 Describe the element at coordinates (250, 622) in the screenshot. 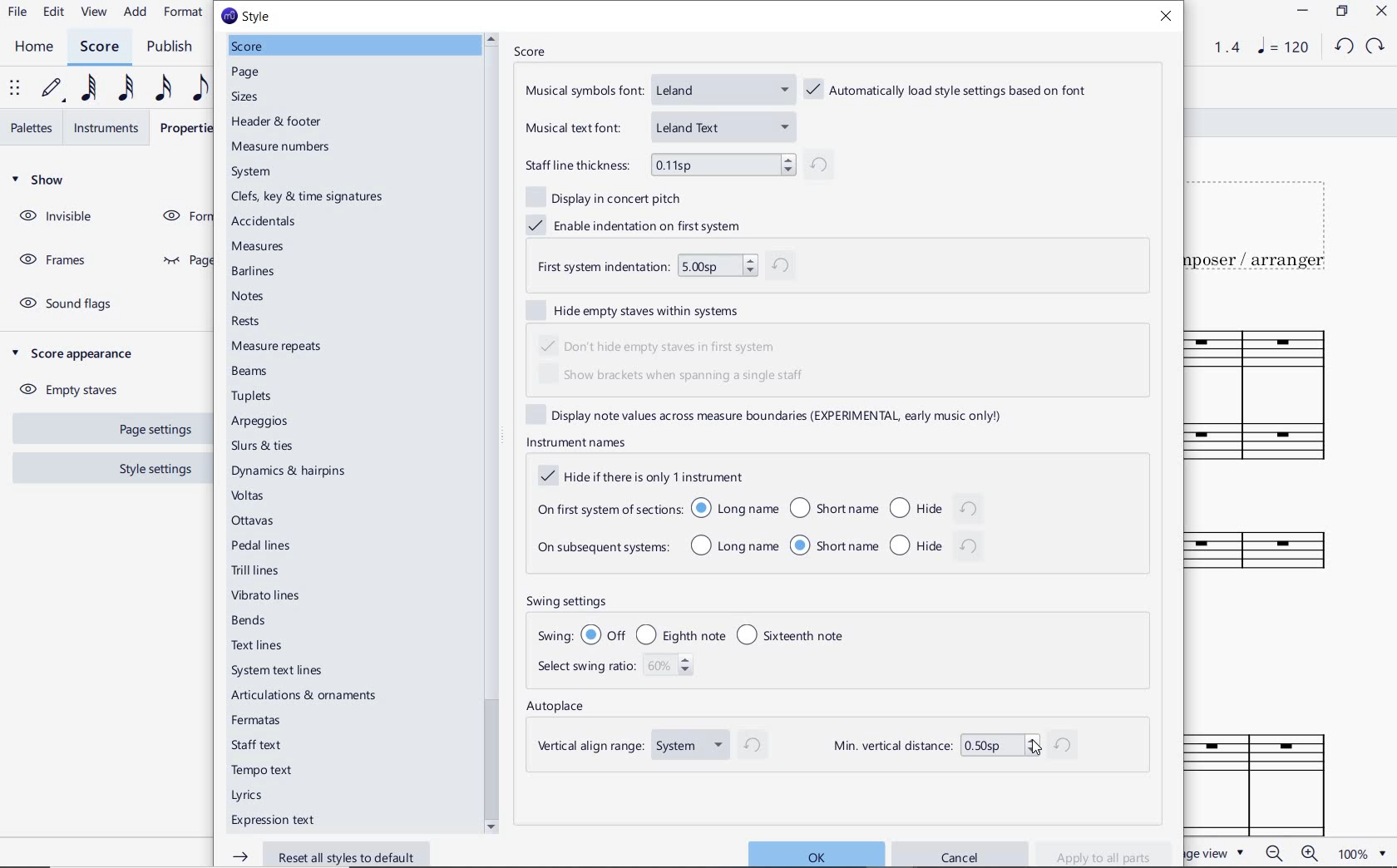

I see `bends` at that location.